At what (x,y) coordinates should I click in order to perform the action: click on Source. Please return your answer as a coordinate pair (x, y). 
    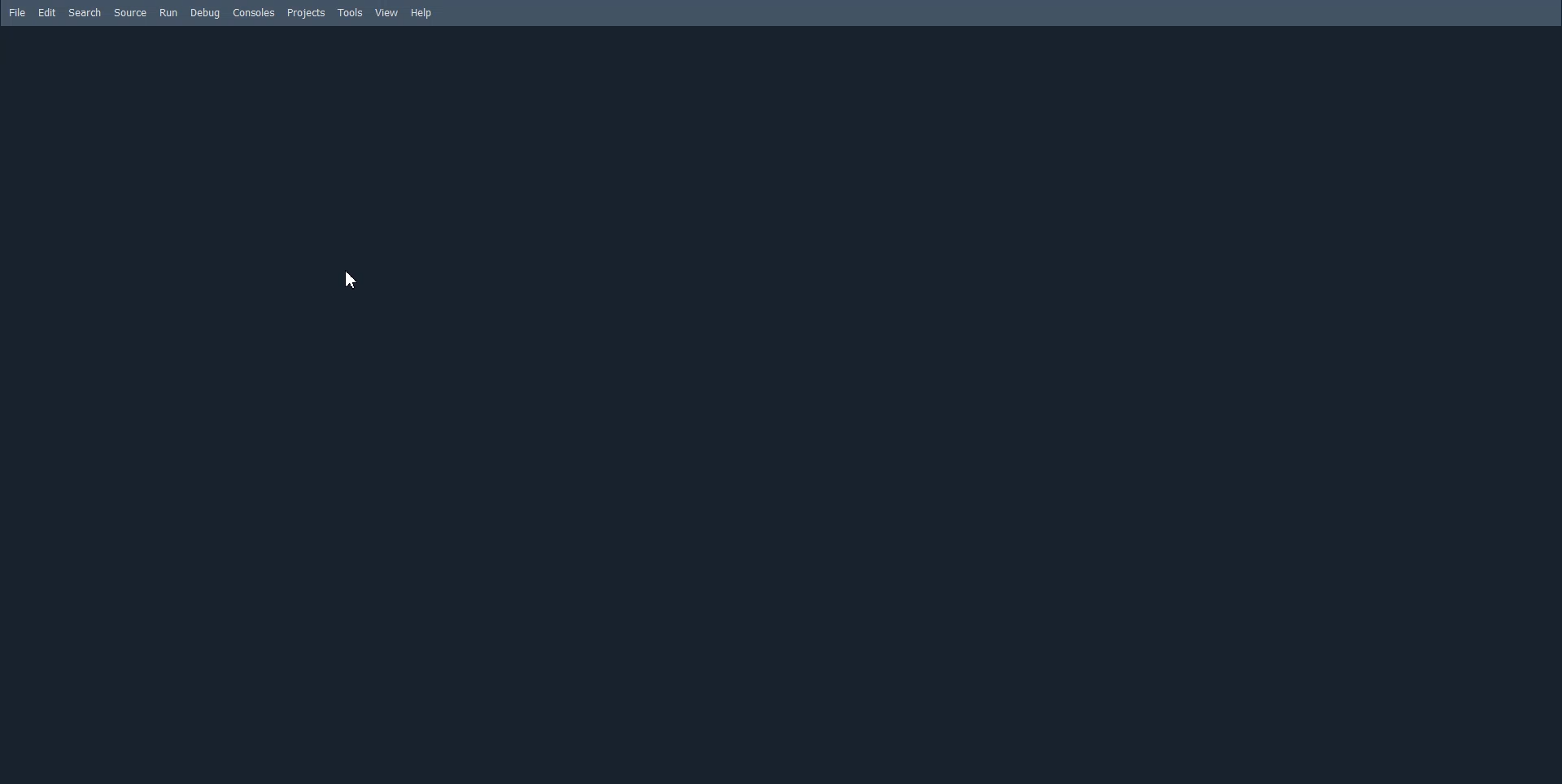
    Looking at the image, I should click on (132, 12).